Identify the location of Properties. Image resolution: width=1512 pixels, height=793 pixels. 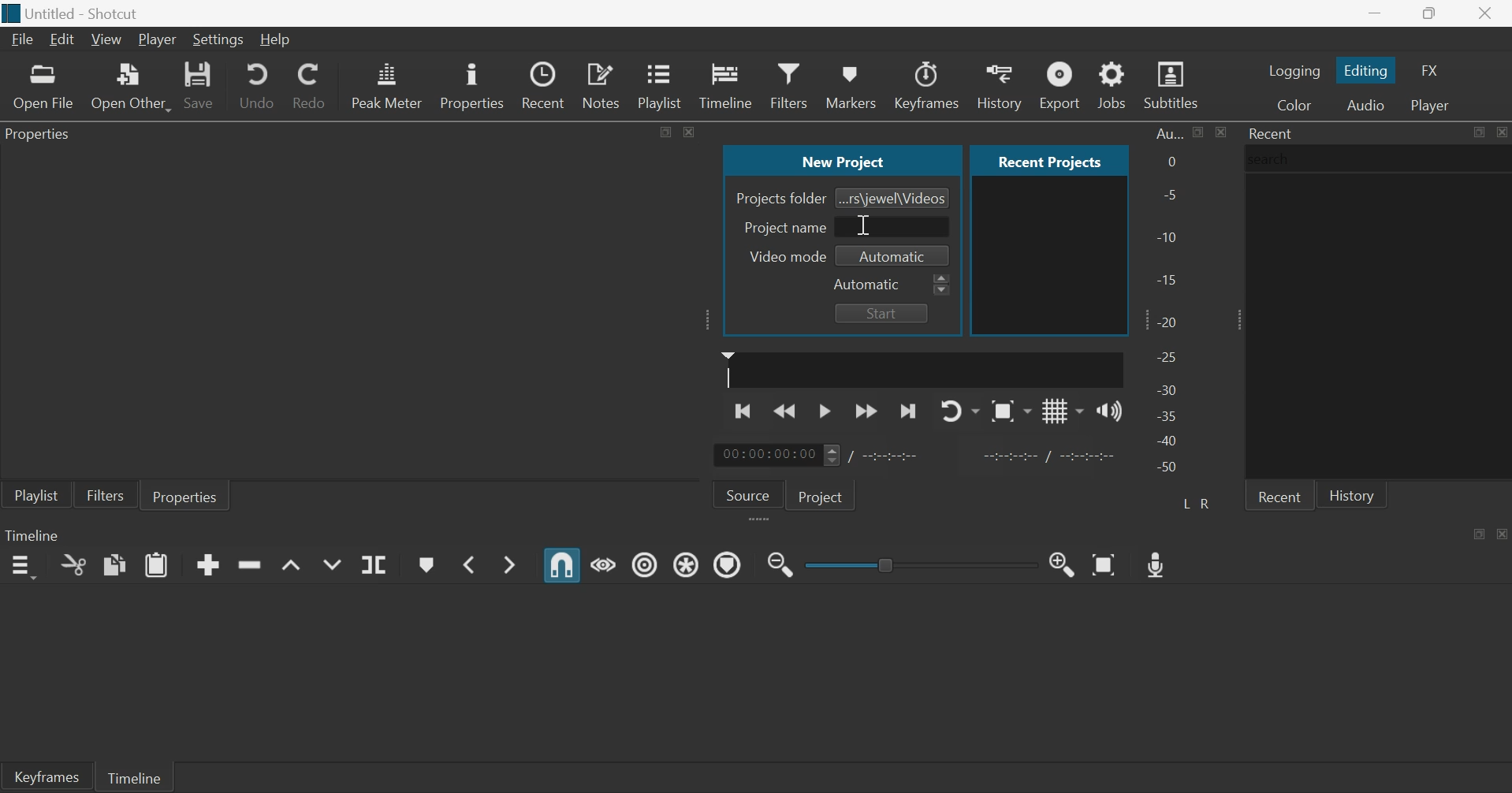
(471, 84).